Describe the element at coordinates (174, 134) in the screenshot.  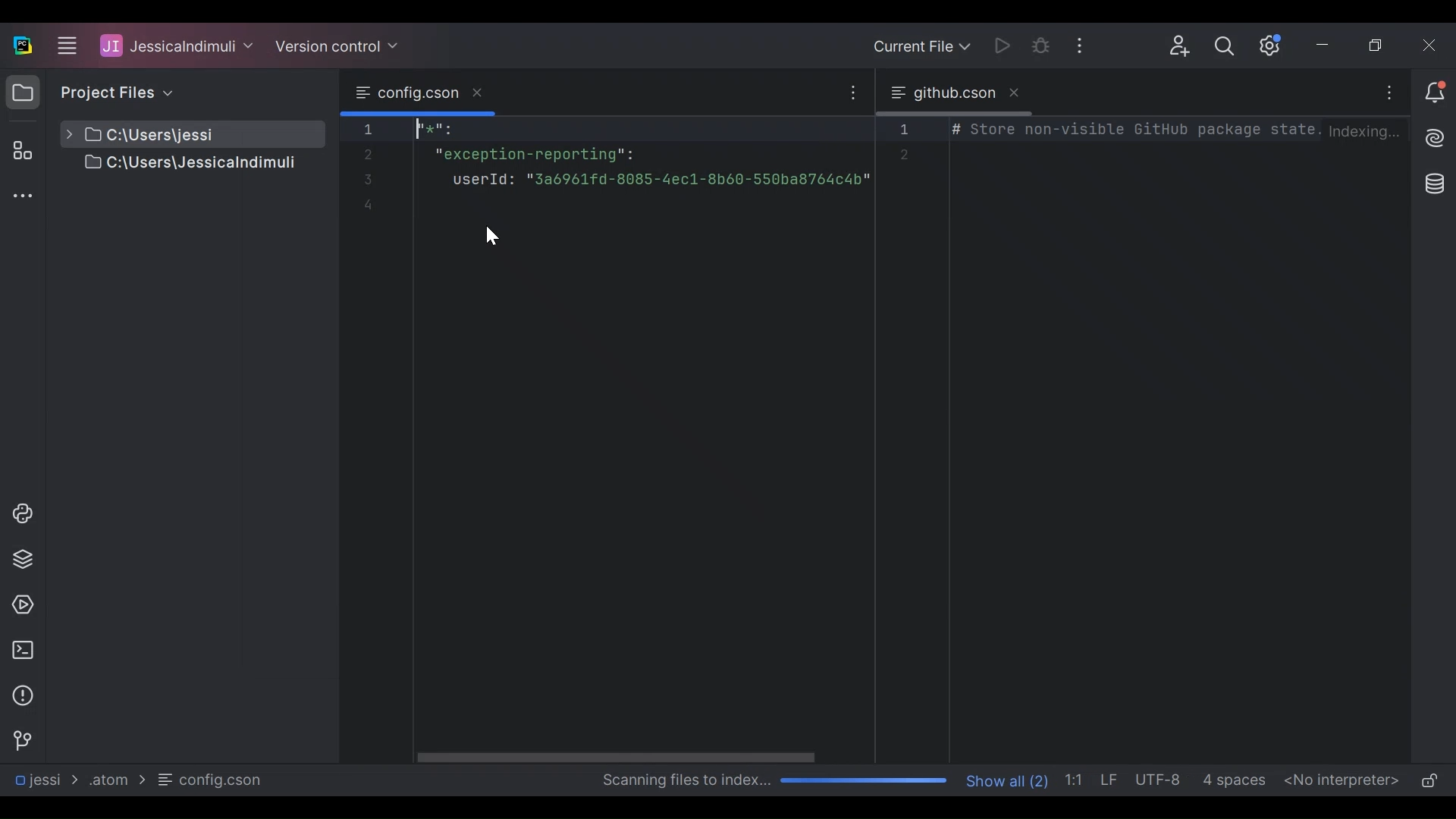
I see `Project File` at that location.